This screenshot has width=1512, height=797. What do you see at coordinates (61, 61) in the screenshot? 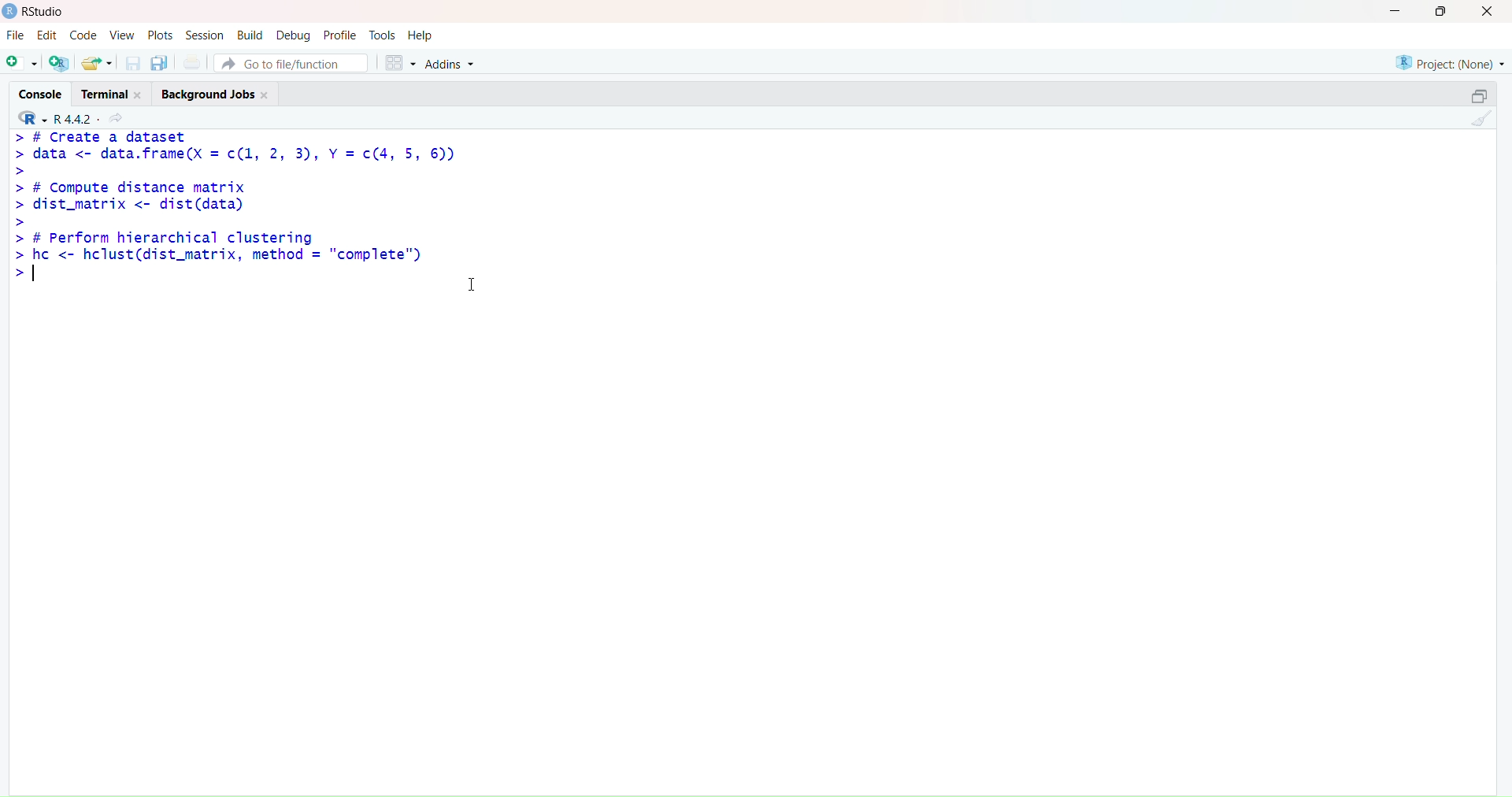
I see `Create a project` at bounding box center [61, 61].